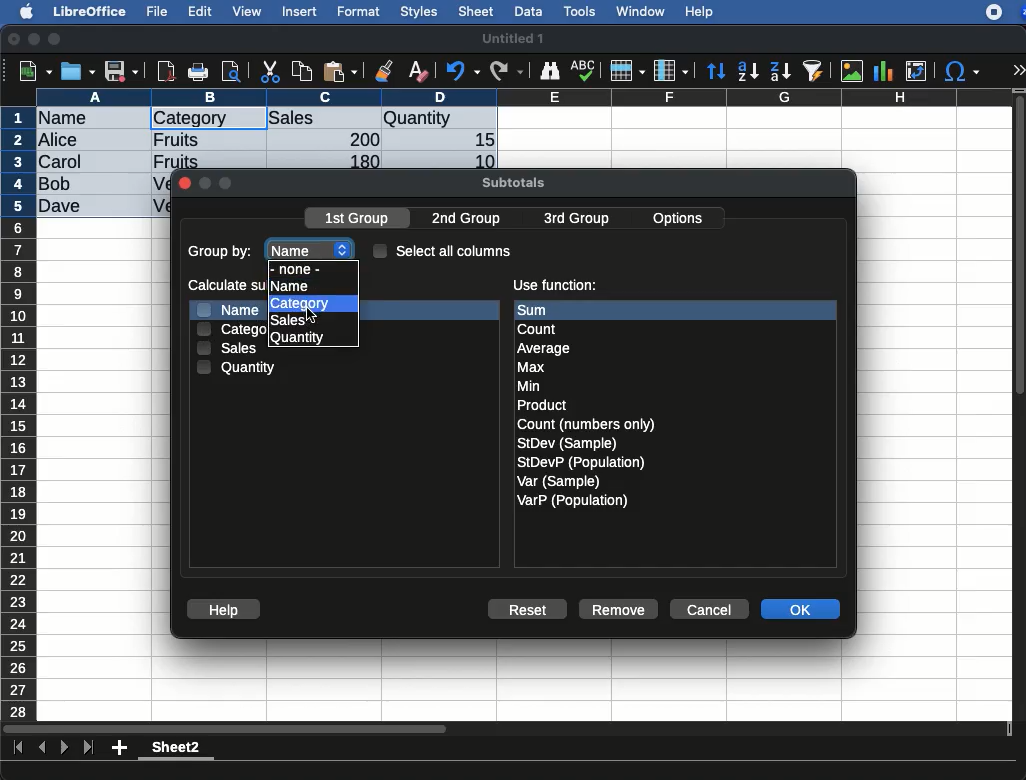 Image resolution: width=1026 pixels, height=780 pixels. Describe the element at coordinates (582, 462) in the screenshot. I see `SitDevP (Population)` at that location.